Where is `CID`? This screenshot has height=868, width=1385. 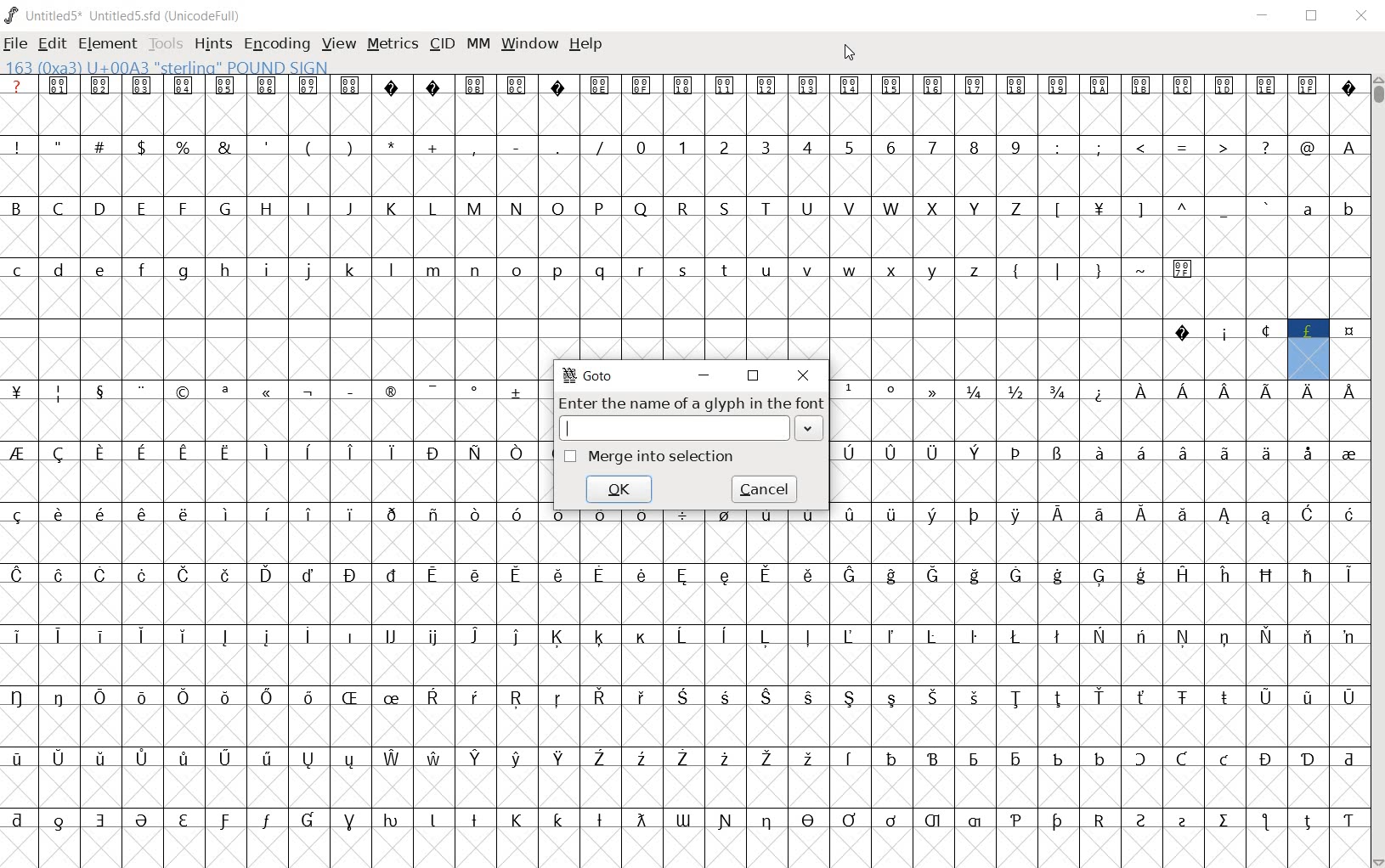
CID is located at coordinates (442, 44).